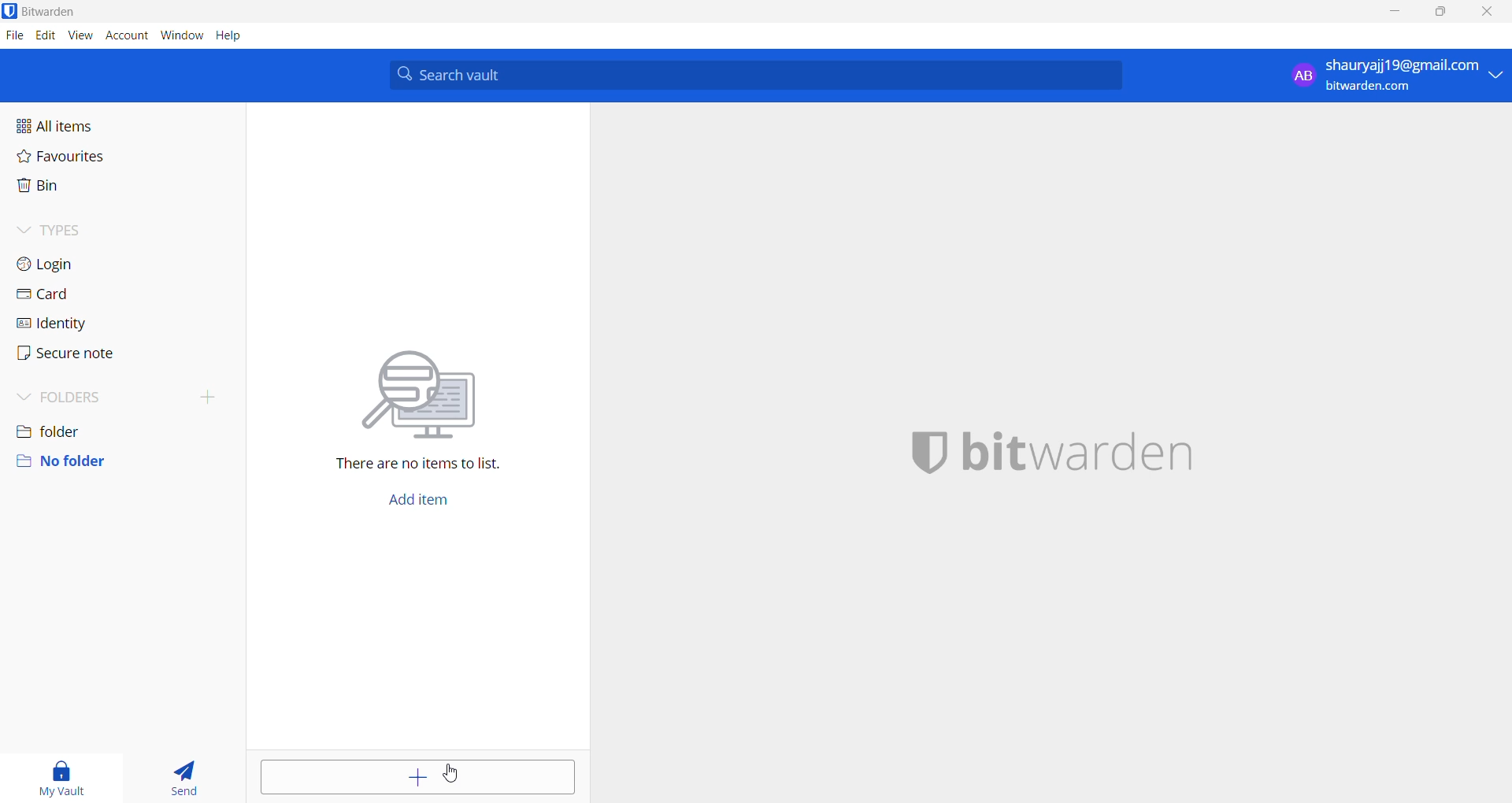  Describe the element at coordinates (89, 156) in the screenshot. I see `favourites` at that location.